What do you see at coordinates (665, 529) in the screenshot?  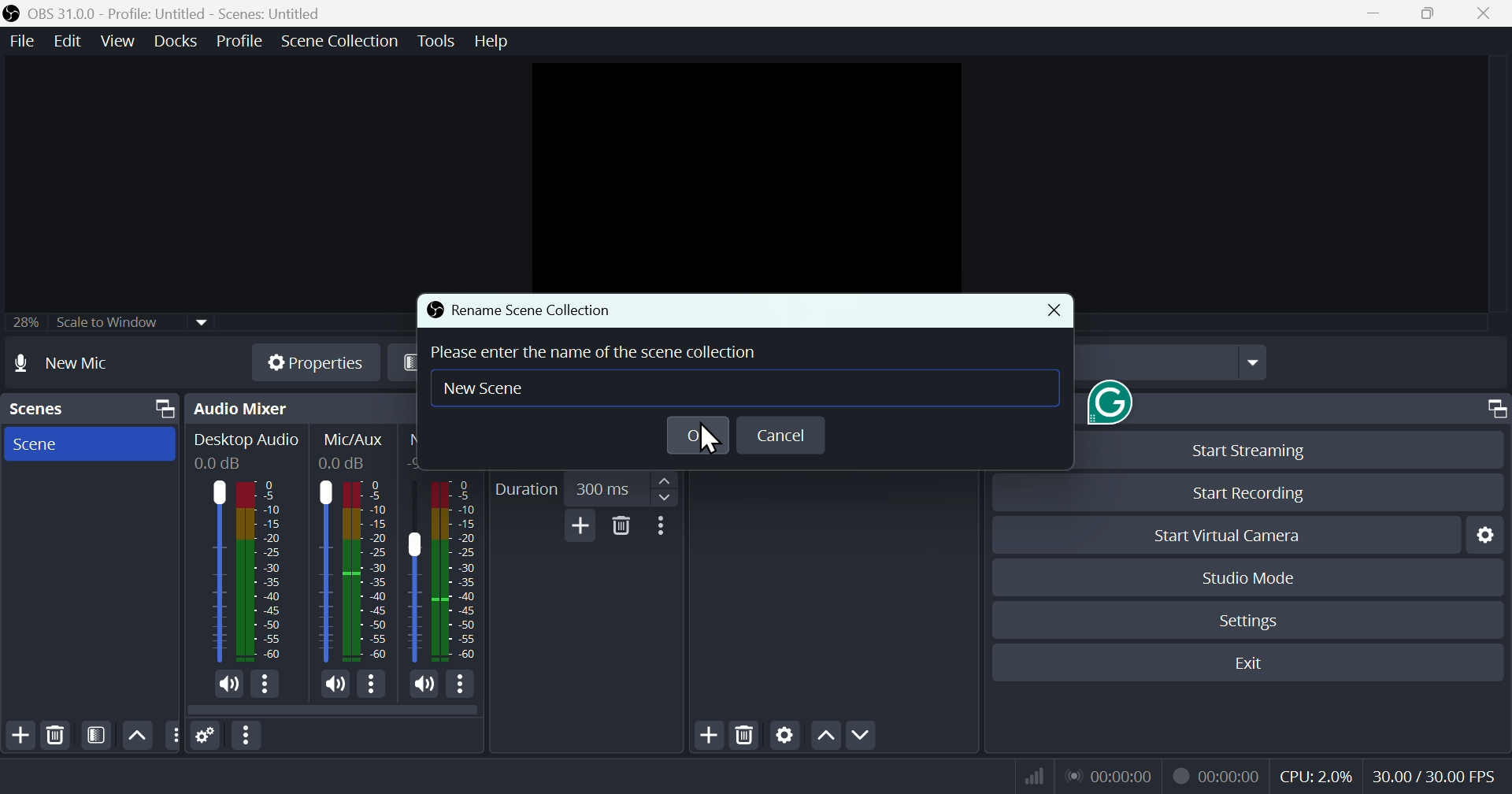 I see `More options` at bounding box center [665, 529].